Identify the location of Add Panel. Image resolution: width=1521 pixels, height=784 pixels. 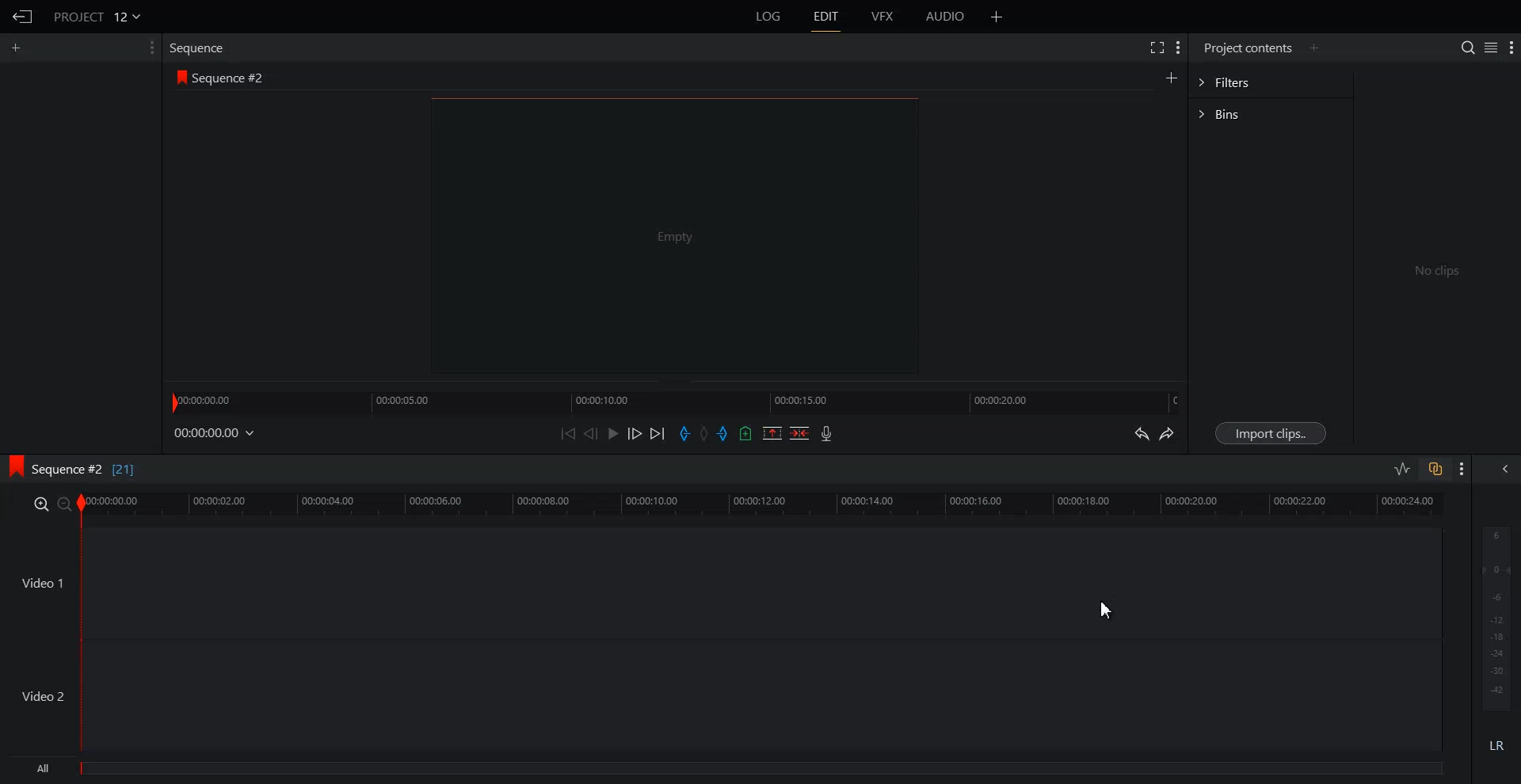
(997, 17).